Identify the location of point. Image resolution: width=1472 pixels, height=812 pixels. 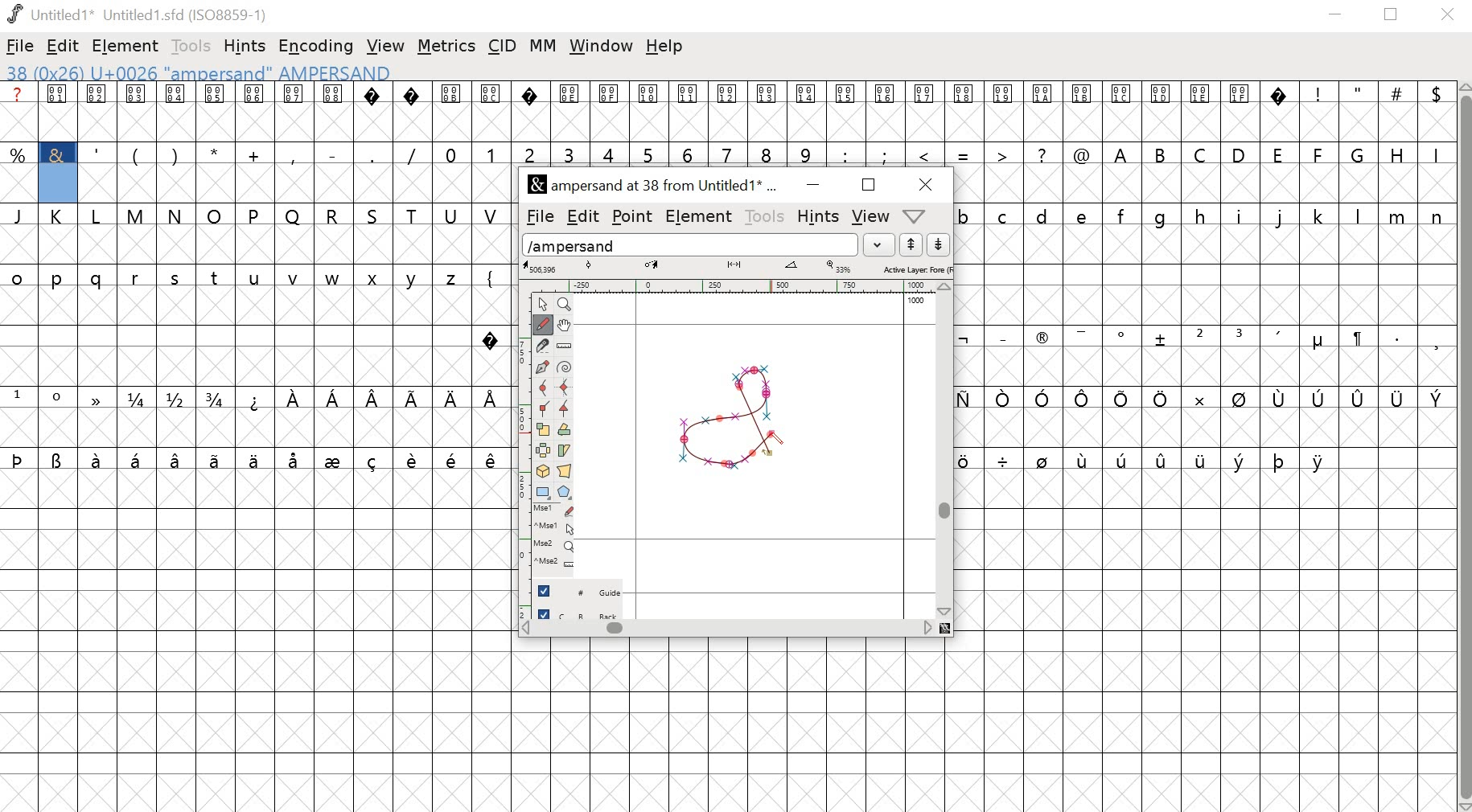
(634, 216).